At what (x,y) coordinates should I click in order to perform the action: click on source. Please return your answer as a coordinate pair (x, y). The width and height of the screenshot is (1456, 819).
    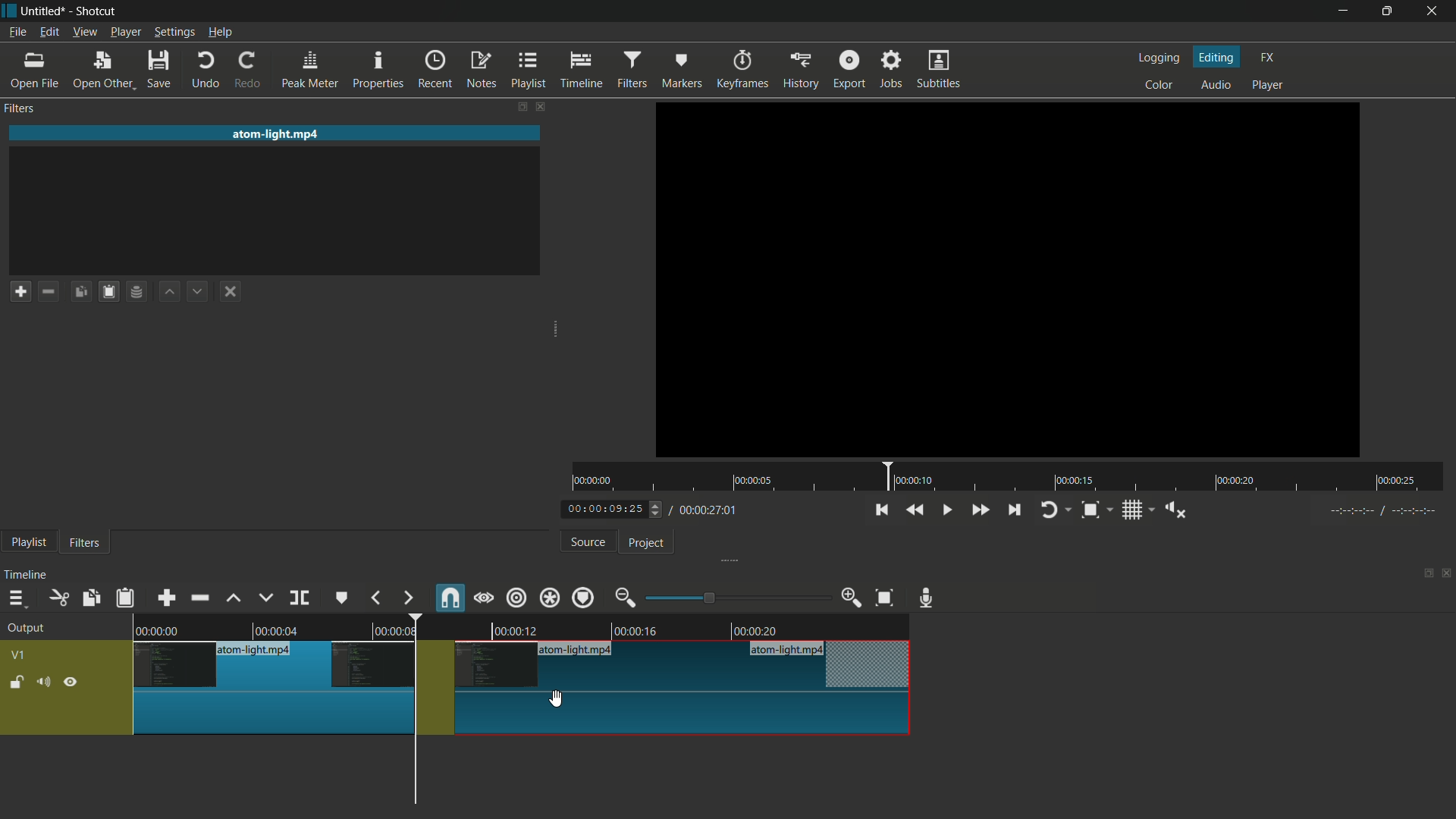
    Looking at the image, I should click on (588, 542).